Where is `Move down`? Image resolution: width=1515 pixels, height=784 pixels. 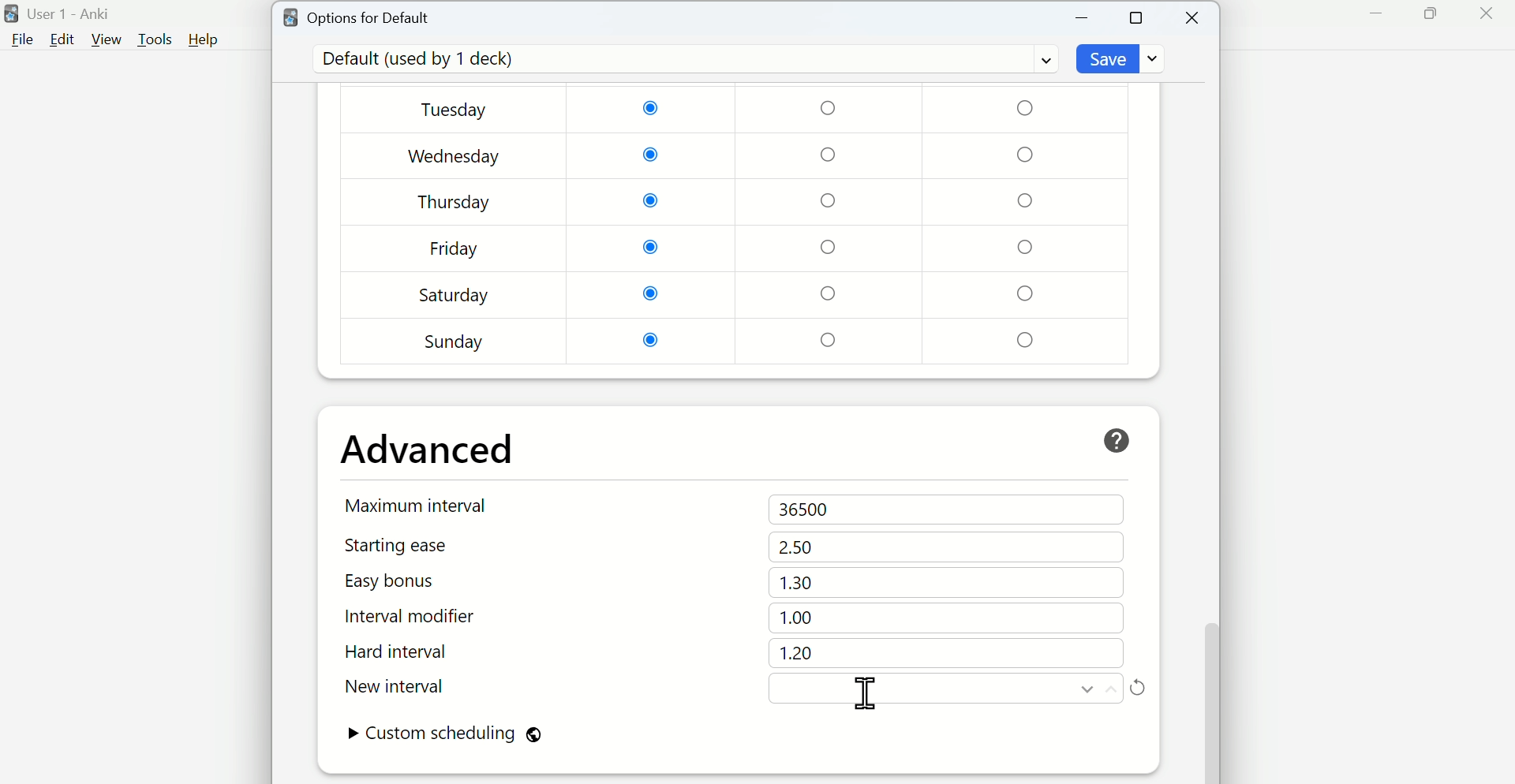 Move down is located at coordinates (1088, 689).